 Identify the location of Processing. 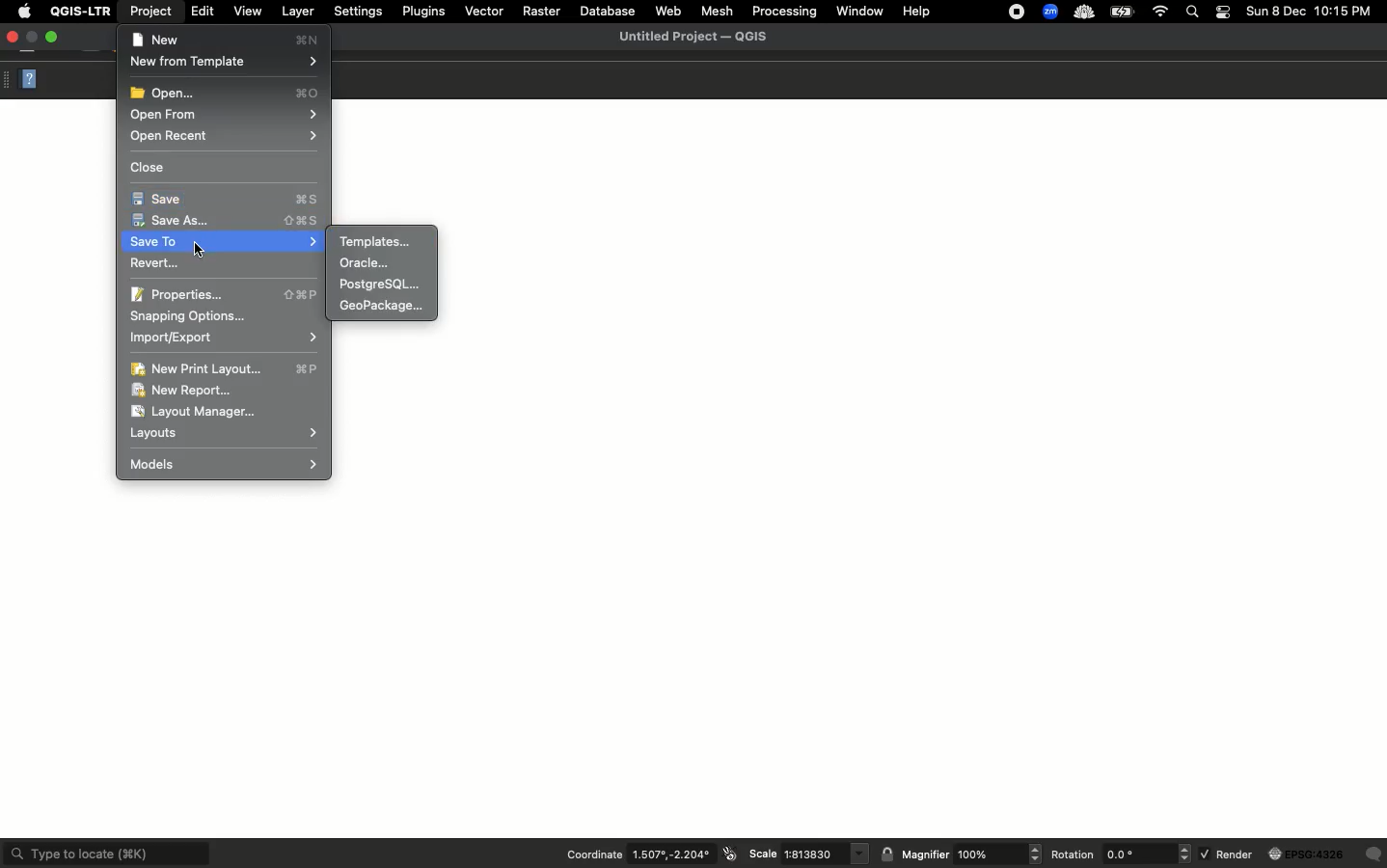
(784, 10).